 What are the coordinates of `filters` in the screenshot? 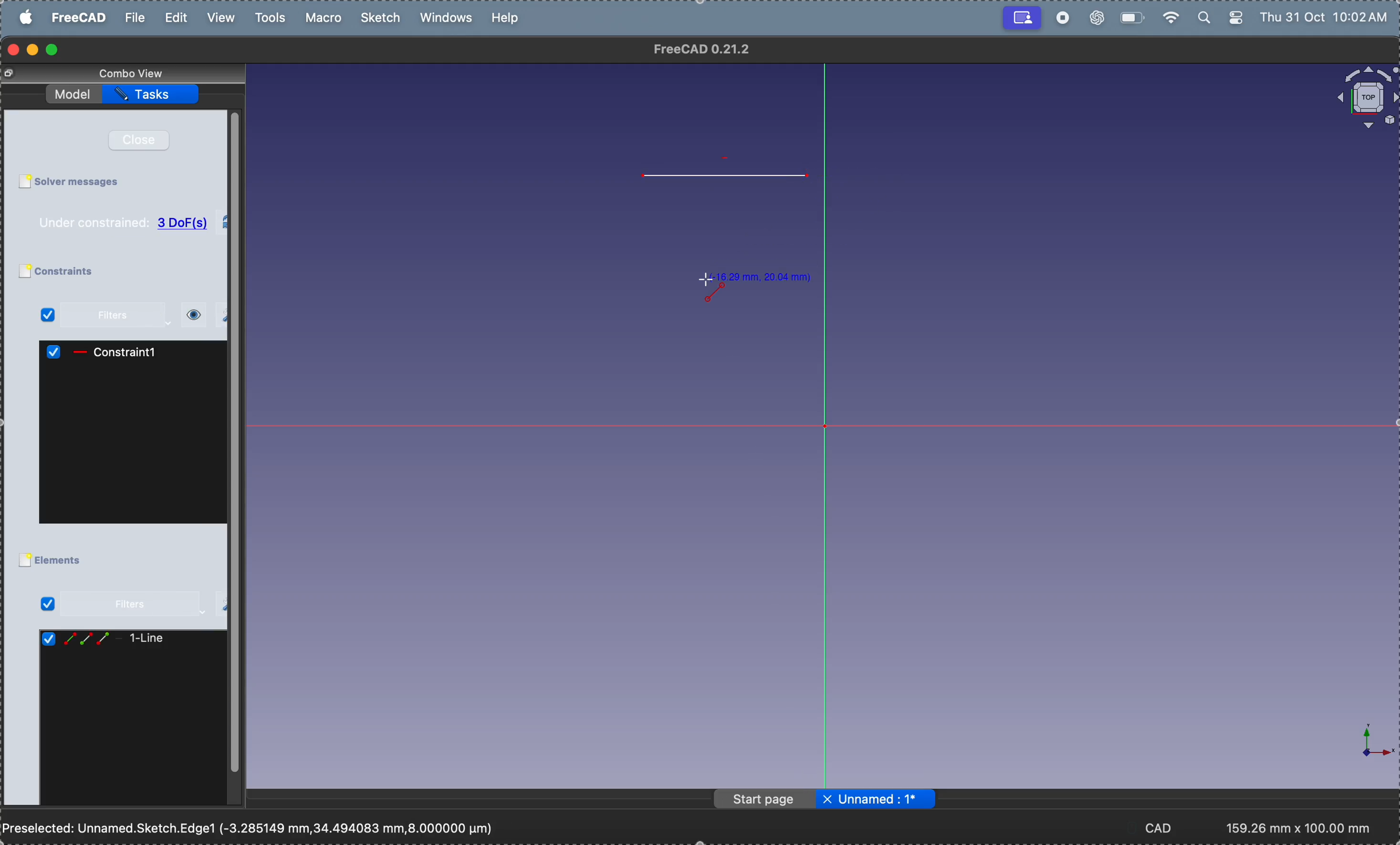 It's located at (110, 605).